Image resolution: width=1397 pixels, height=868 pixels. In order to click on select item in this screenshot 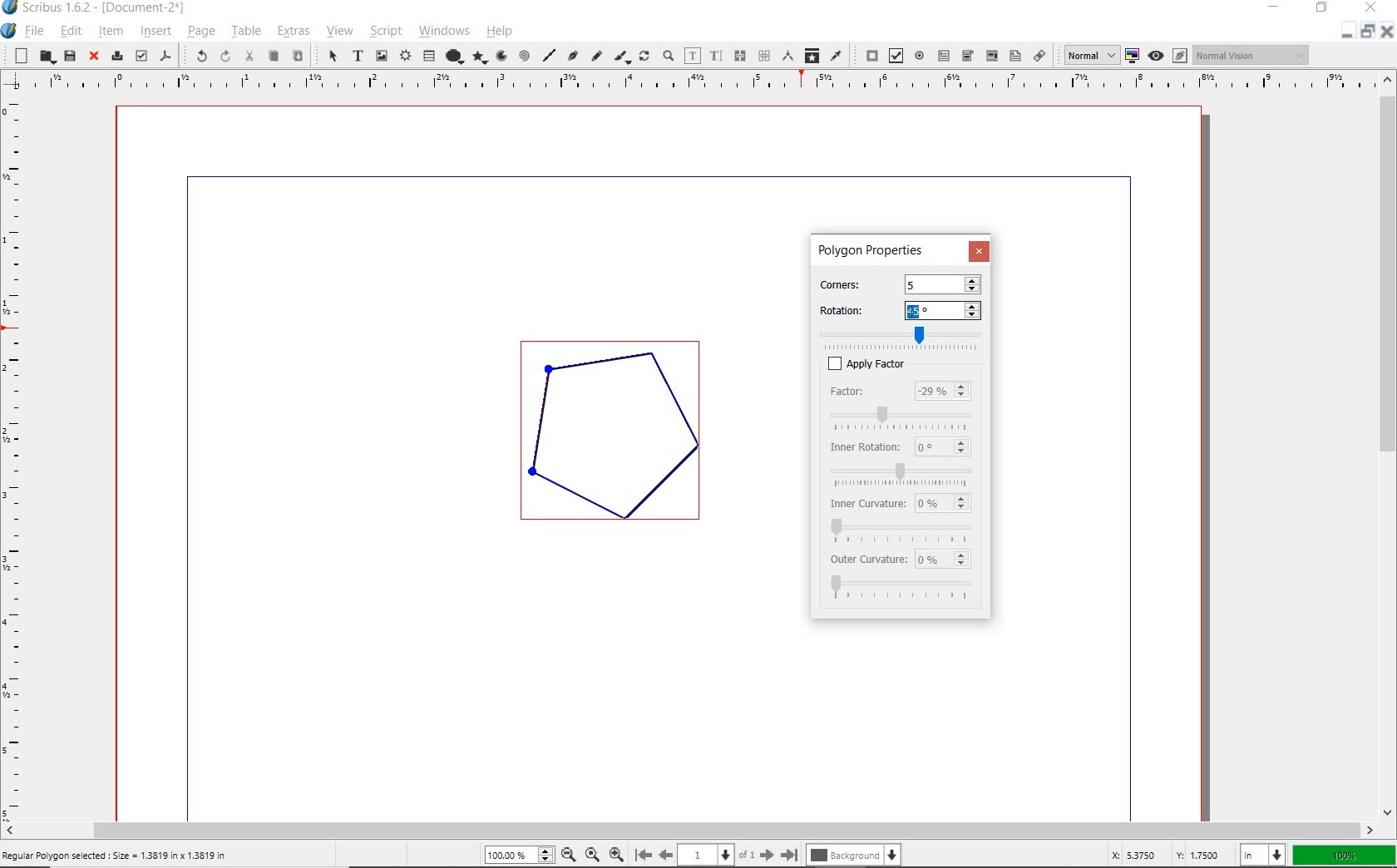, I will do `click(330, 56)`.